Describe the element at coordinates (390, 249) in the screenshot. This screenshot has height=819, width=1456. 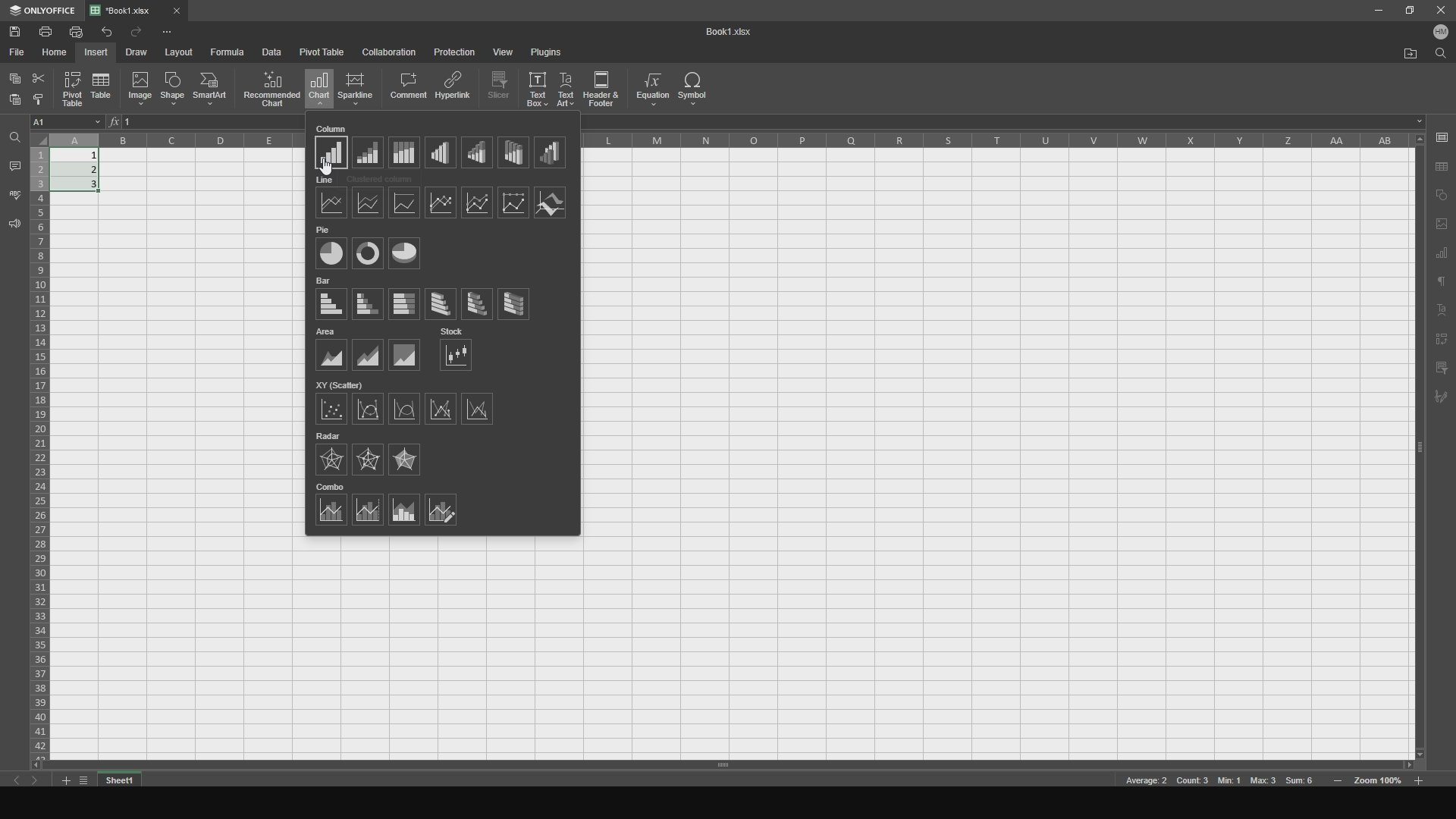
I see `pies` at that location.